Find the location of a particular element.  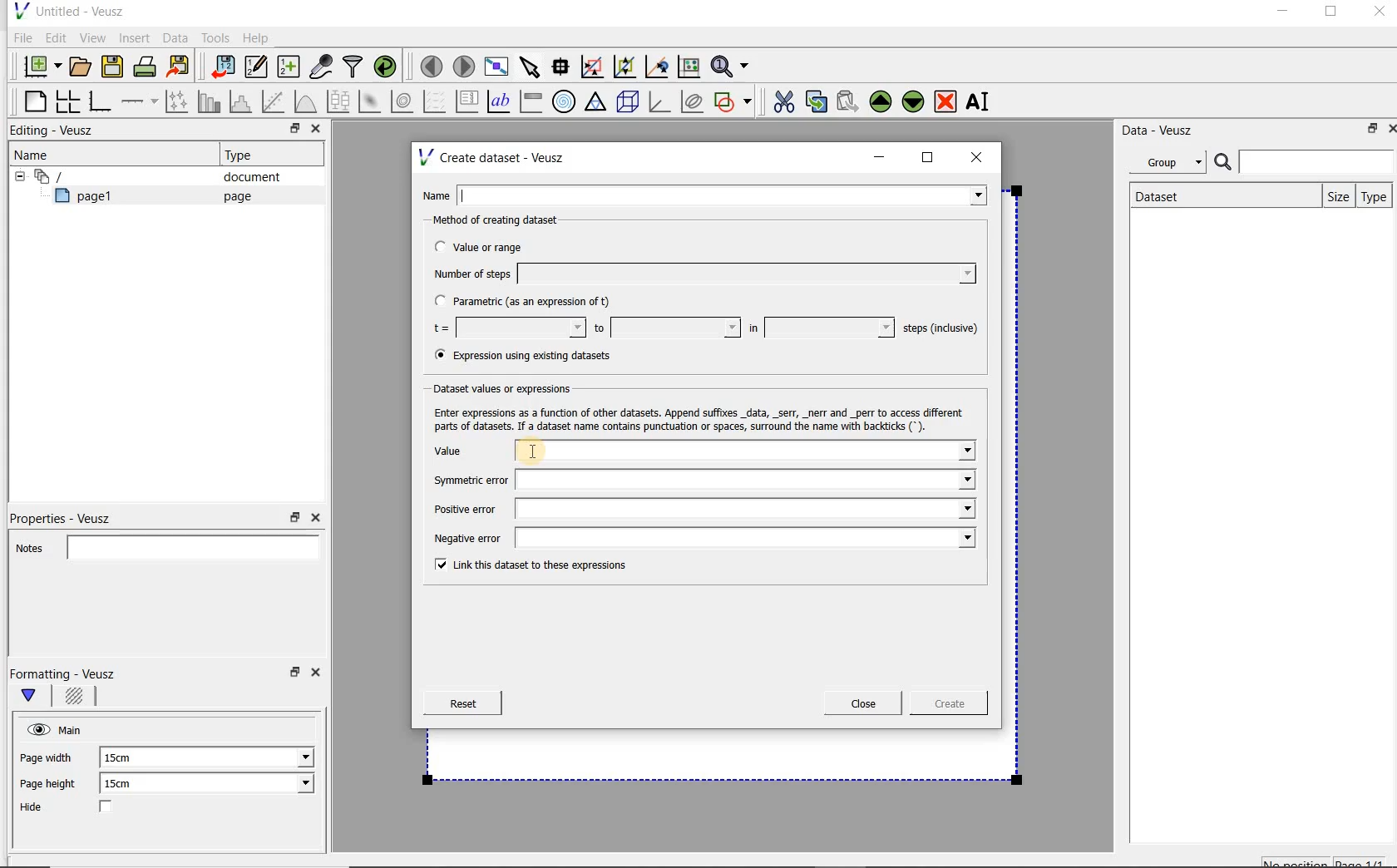

Value or range is located at coordinates (493, 244).